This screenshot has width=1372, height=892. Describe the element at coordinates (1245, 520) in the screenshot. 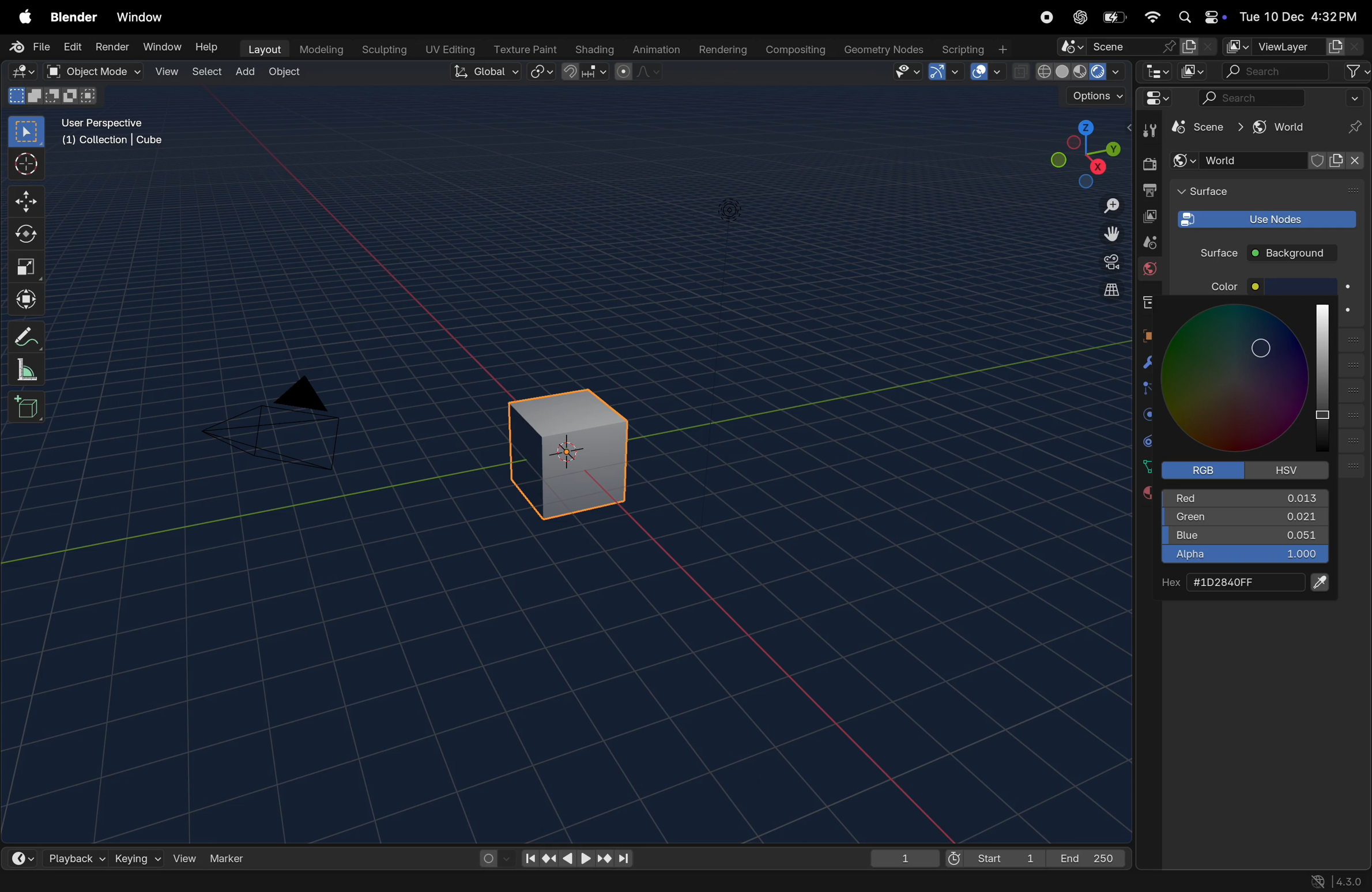

I see `Green` at that location.